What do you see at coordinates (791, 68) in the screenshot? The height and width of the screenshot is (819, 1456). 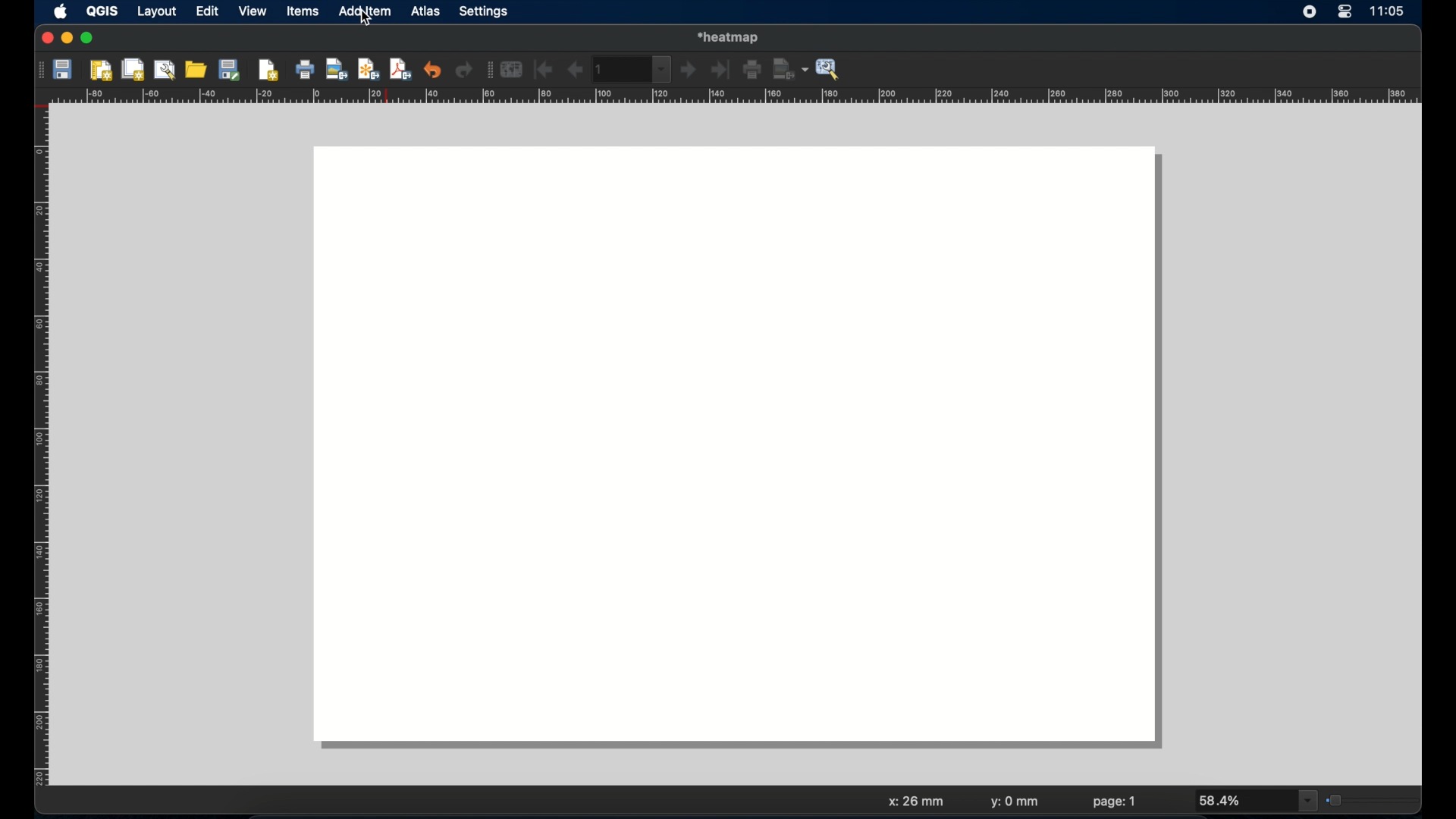 I see `export atlas as image` at bounding box center [791, 68].